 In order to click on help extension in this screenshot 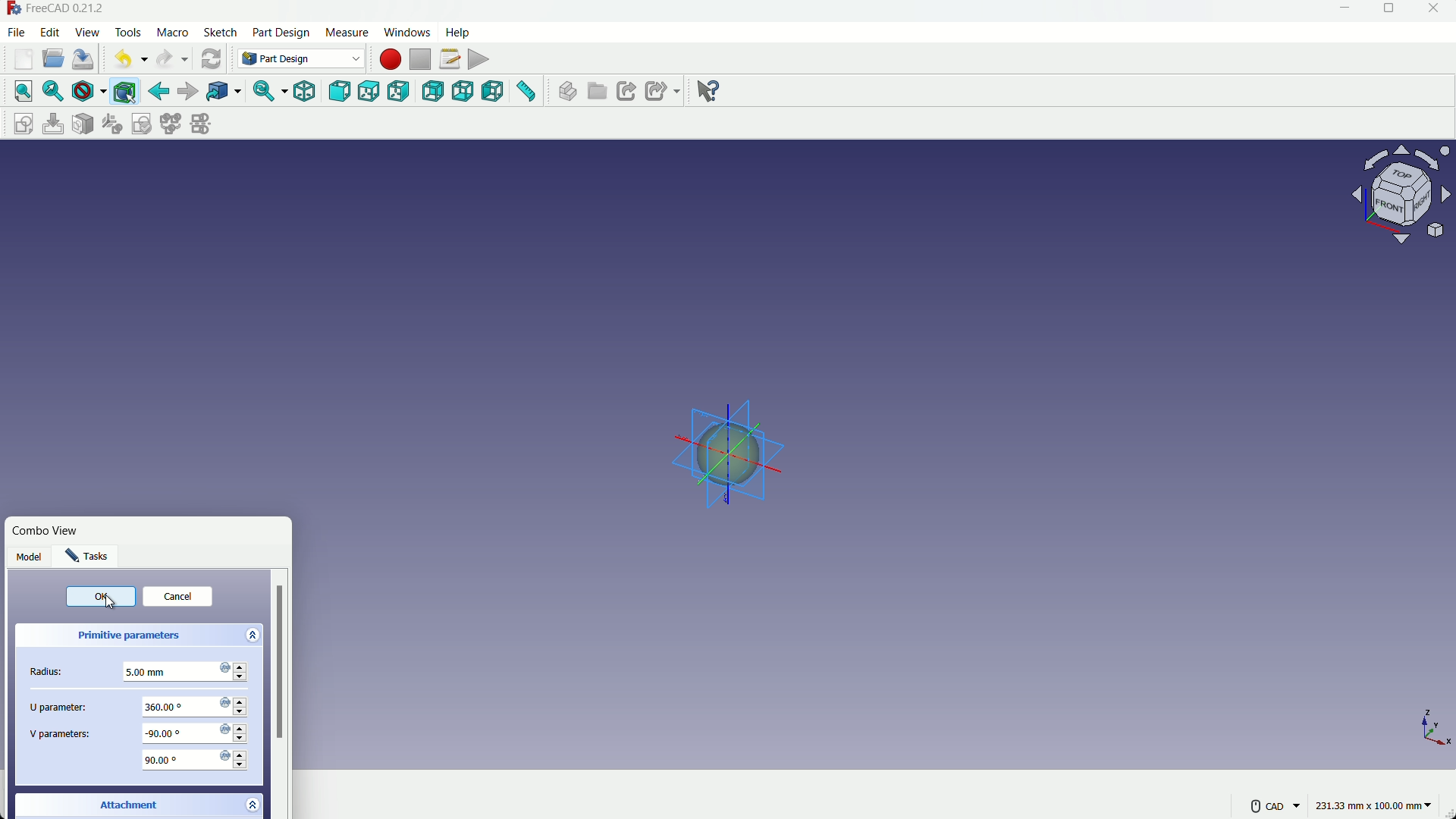, I will do `click(709, 93)`.